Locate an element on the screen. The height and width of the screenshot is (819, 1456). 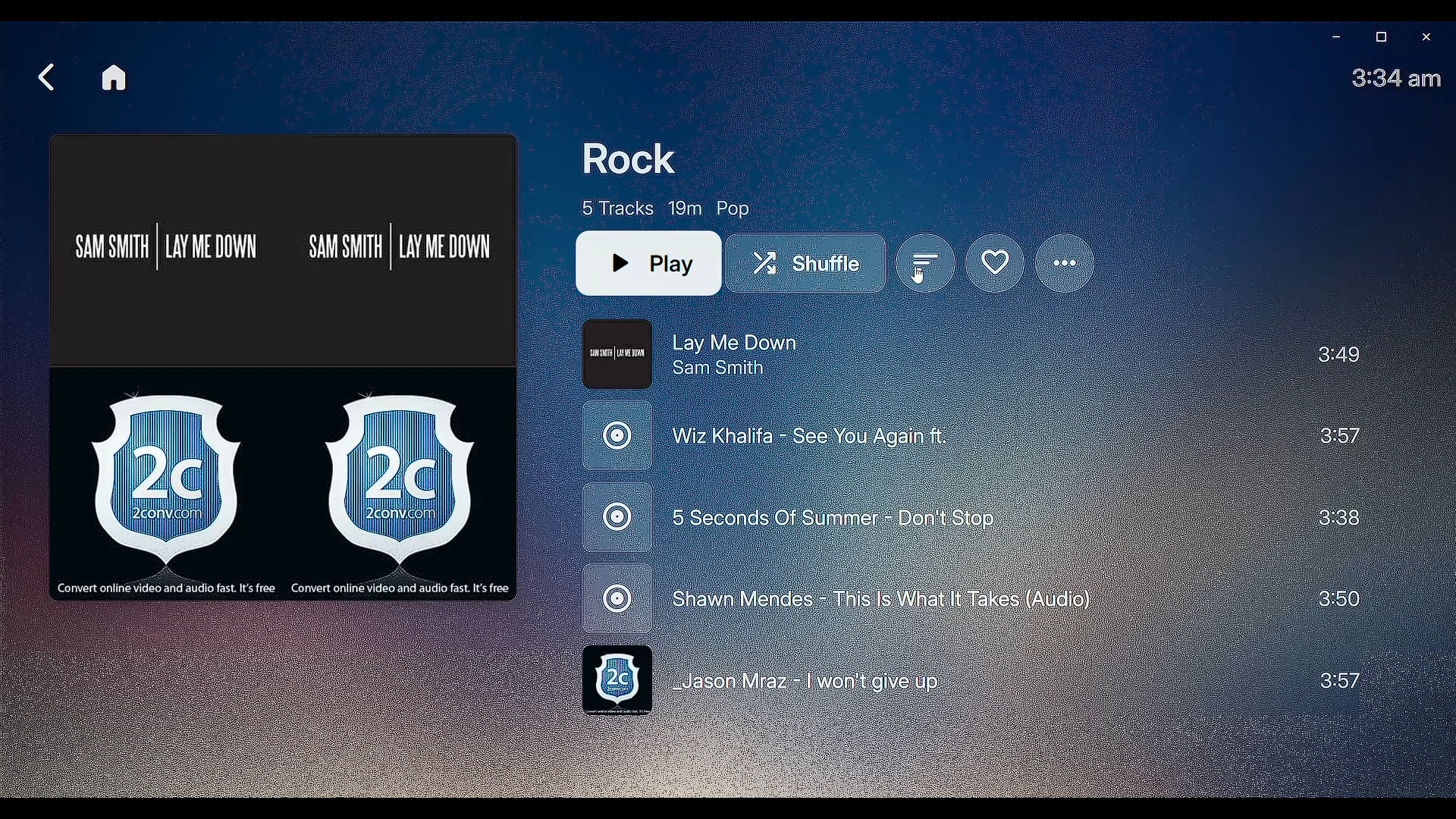
Mark Favorite is located at coordinates (993, 263).